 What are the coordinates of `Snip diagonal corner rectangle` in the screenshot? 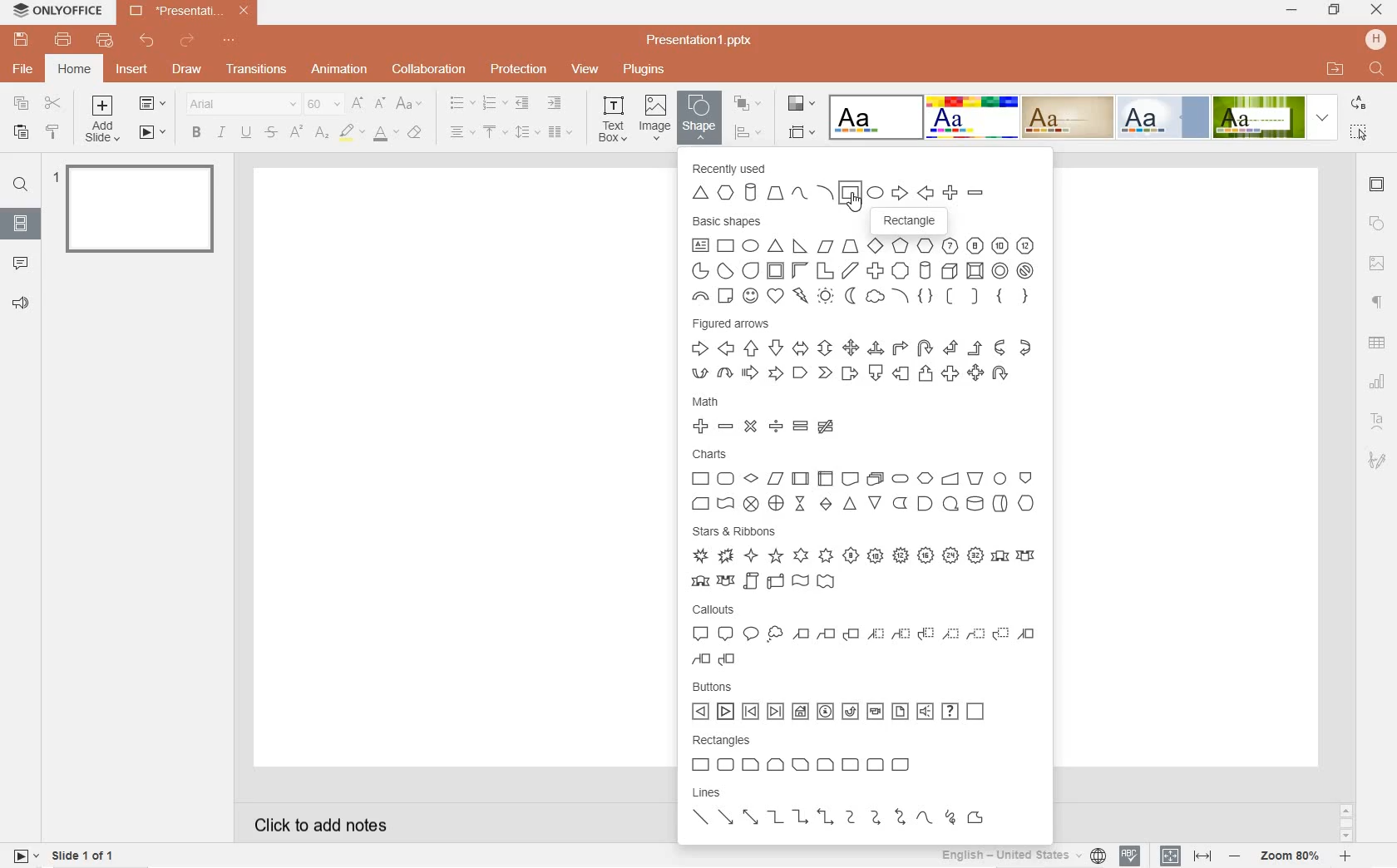 It's located at (800, 767).